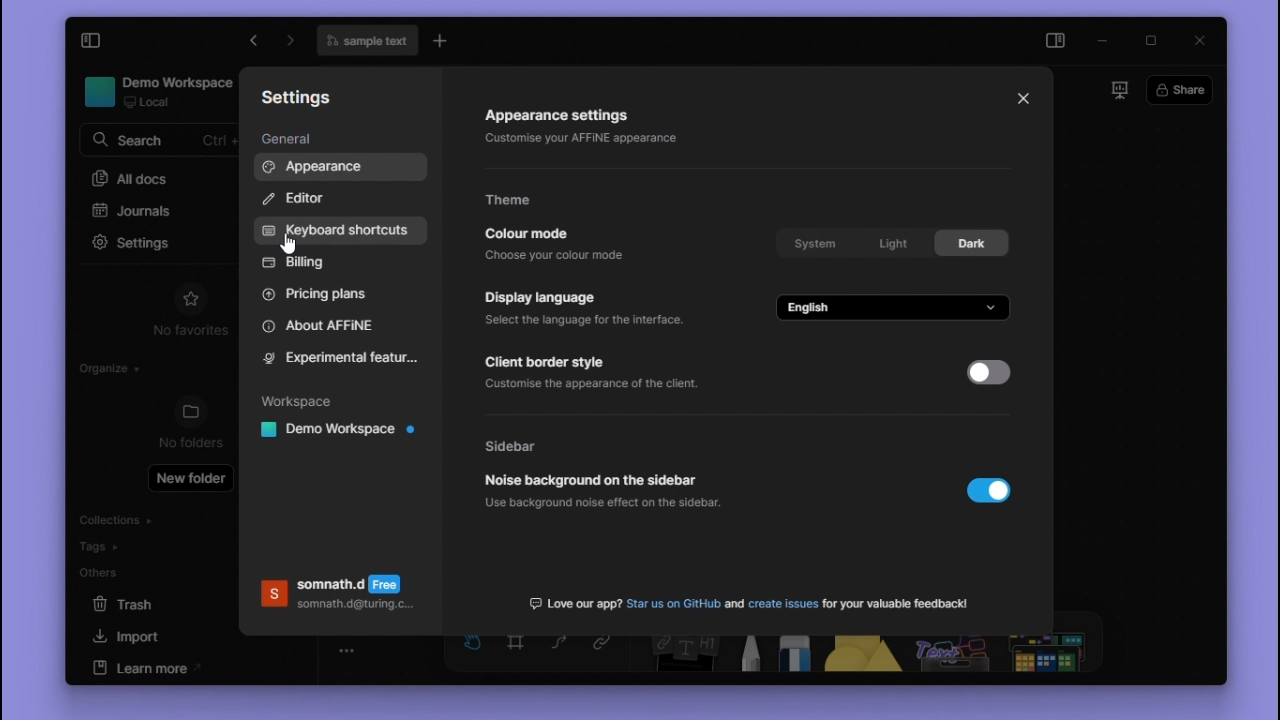  What do you see at coordinates (349, 650) in the screenshot?
I see `toggle zoom tool bar` at bounding box center [349, 650].